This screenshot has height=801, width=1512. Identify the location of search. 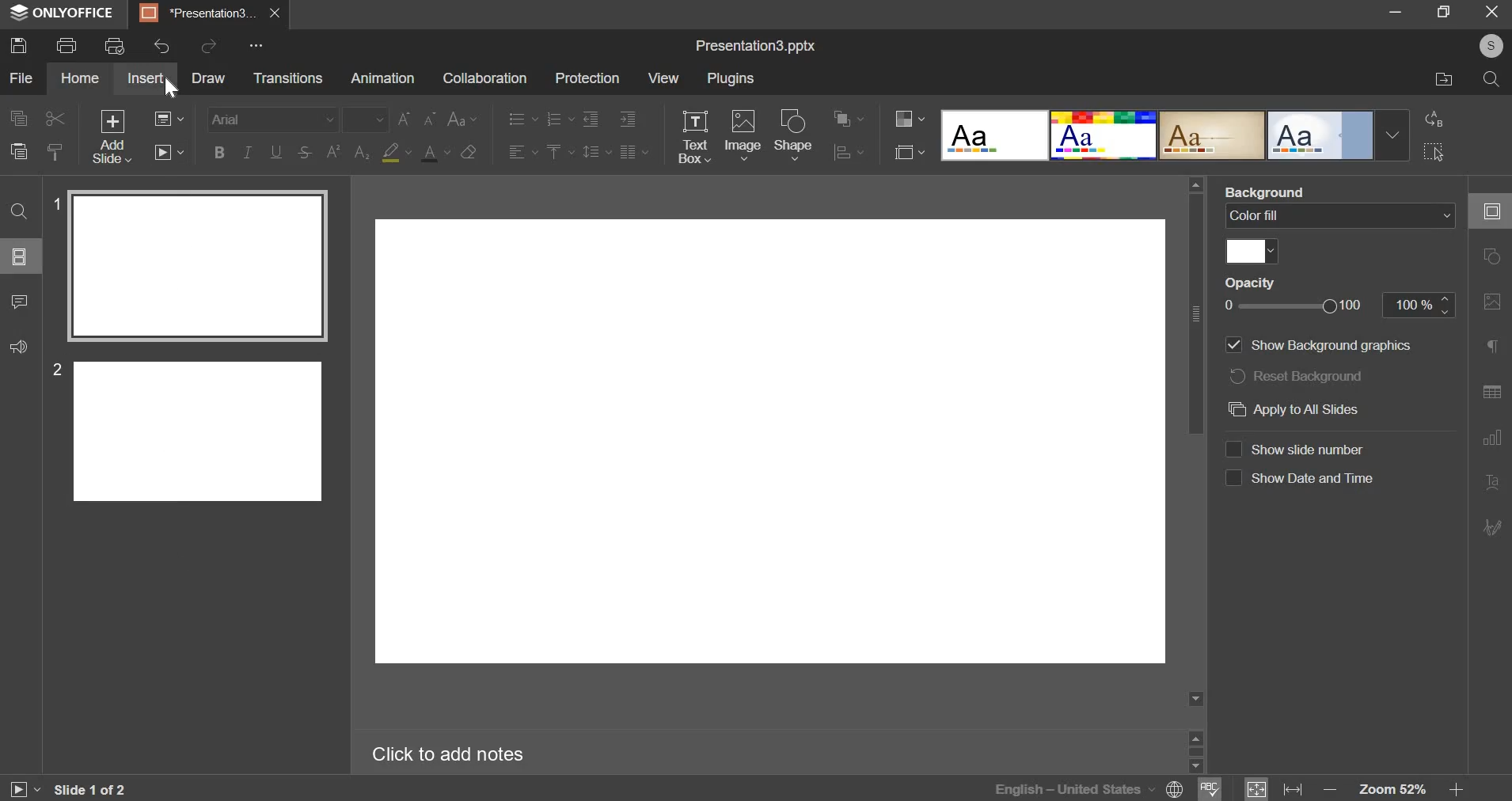
(1494, 82).